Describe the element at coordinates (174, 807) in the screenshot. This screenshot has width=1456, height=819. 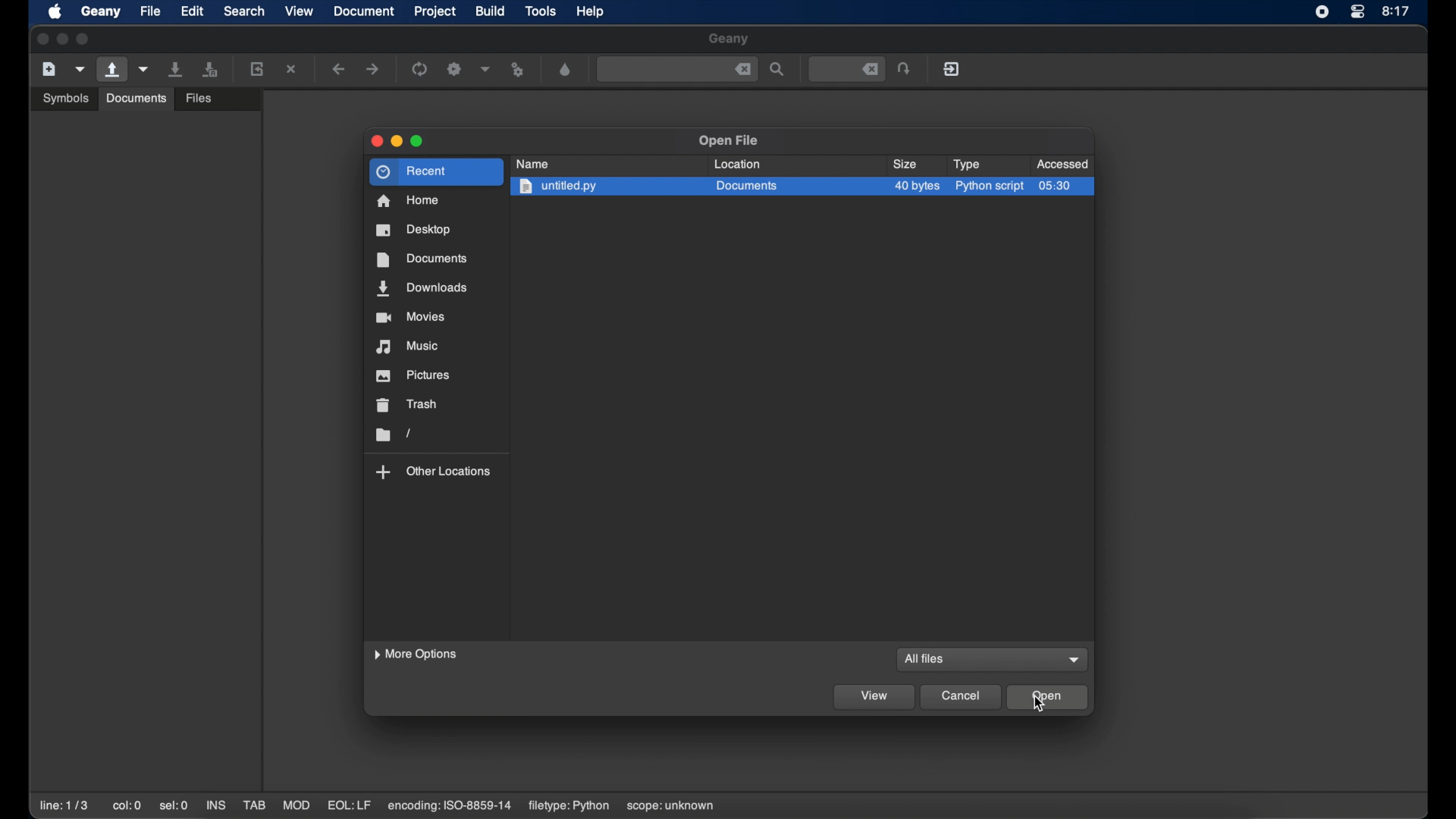
I see `sel:0` at that location.